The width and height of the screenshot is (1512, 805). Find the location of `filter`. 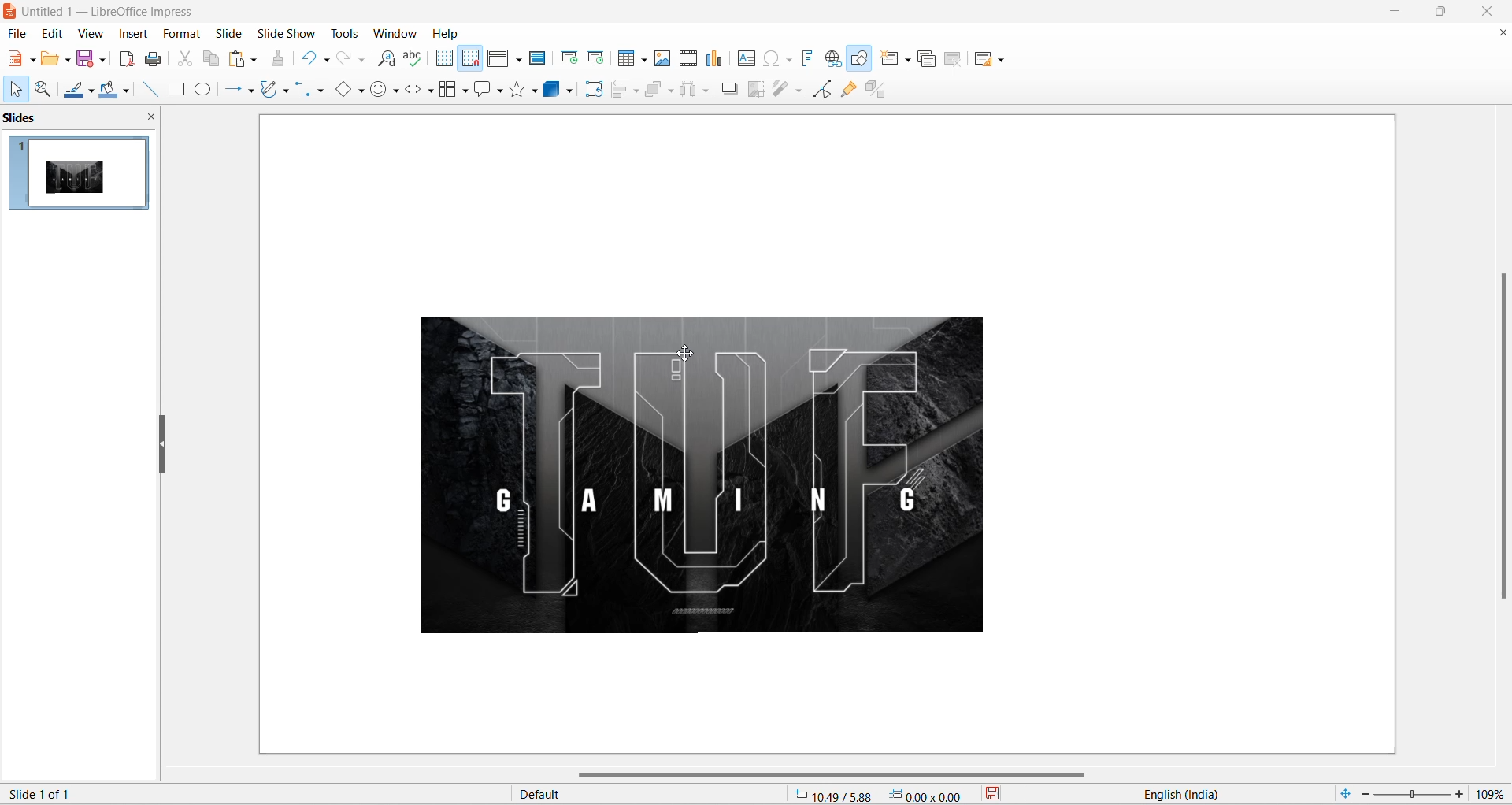

filter is located at coordinates (781, 90).